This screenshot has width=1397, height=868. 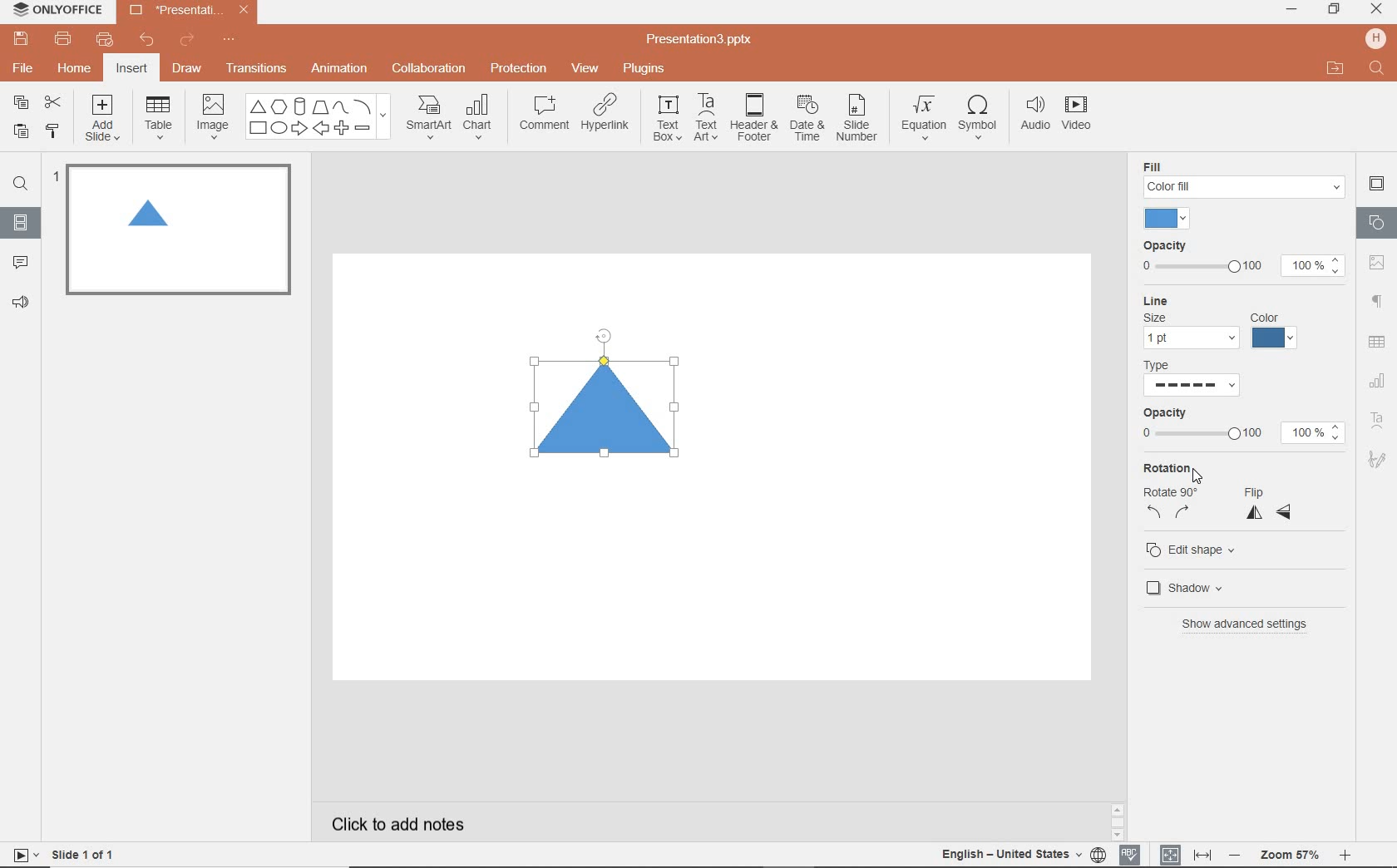 What do you see at coordinates (1378, 422) in the screenshot?
I see `TEXT ART SETTINGS` at bounding box center [1378, 422].